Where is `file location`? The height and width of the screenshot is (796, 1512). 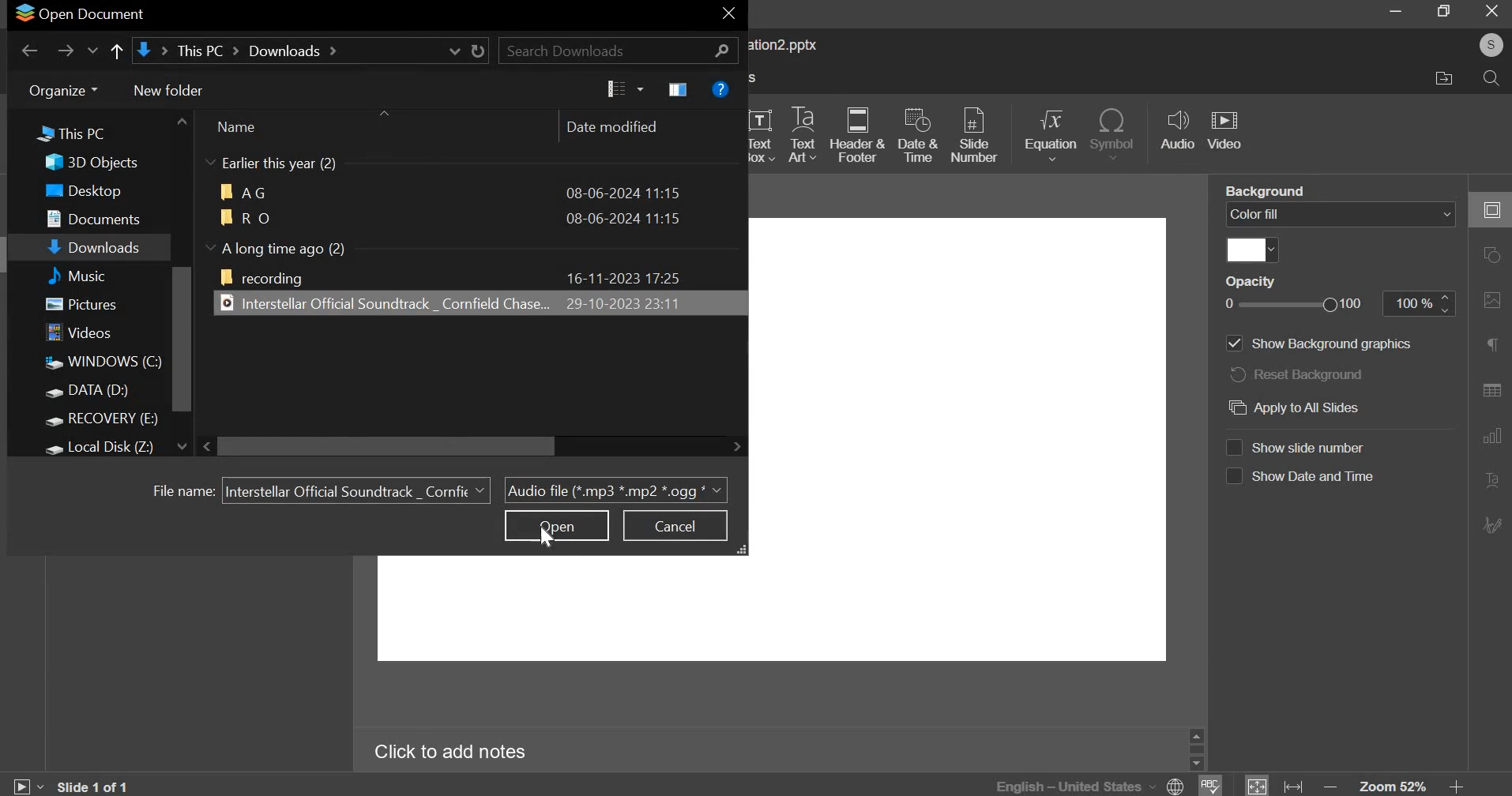
file location is located at coordinates (1452, 81).